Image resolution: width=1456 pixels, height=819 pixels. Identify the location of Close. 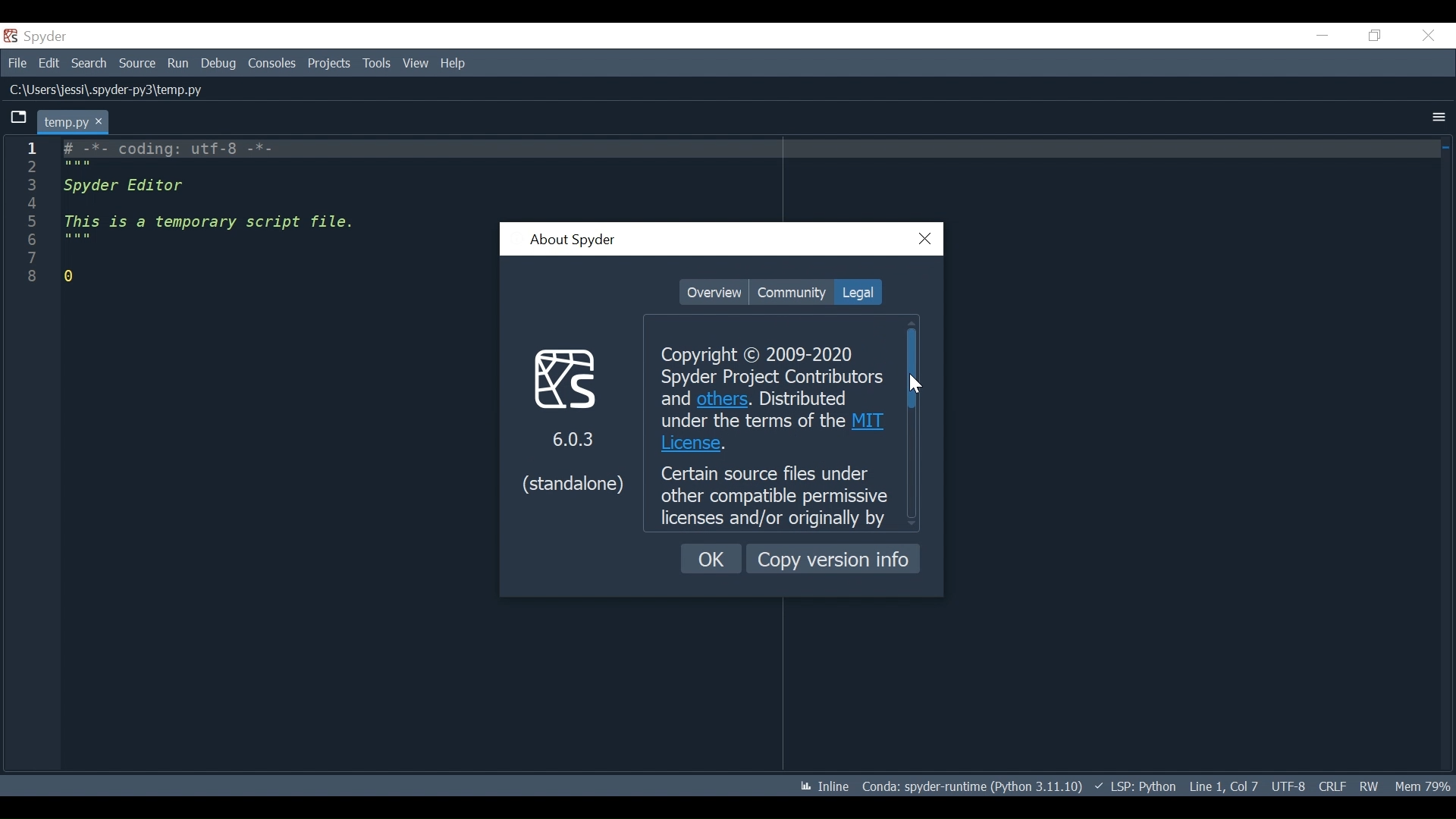
(926, 240).